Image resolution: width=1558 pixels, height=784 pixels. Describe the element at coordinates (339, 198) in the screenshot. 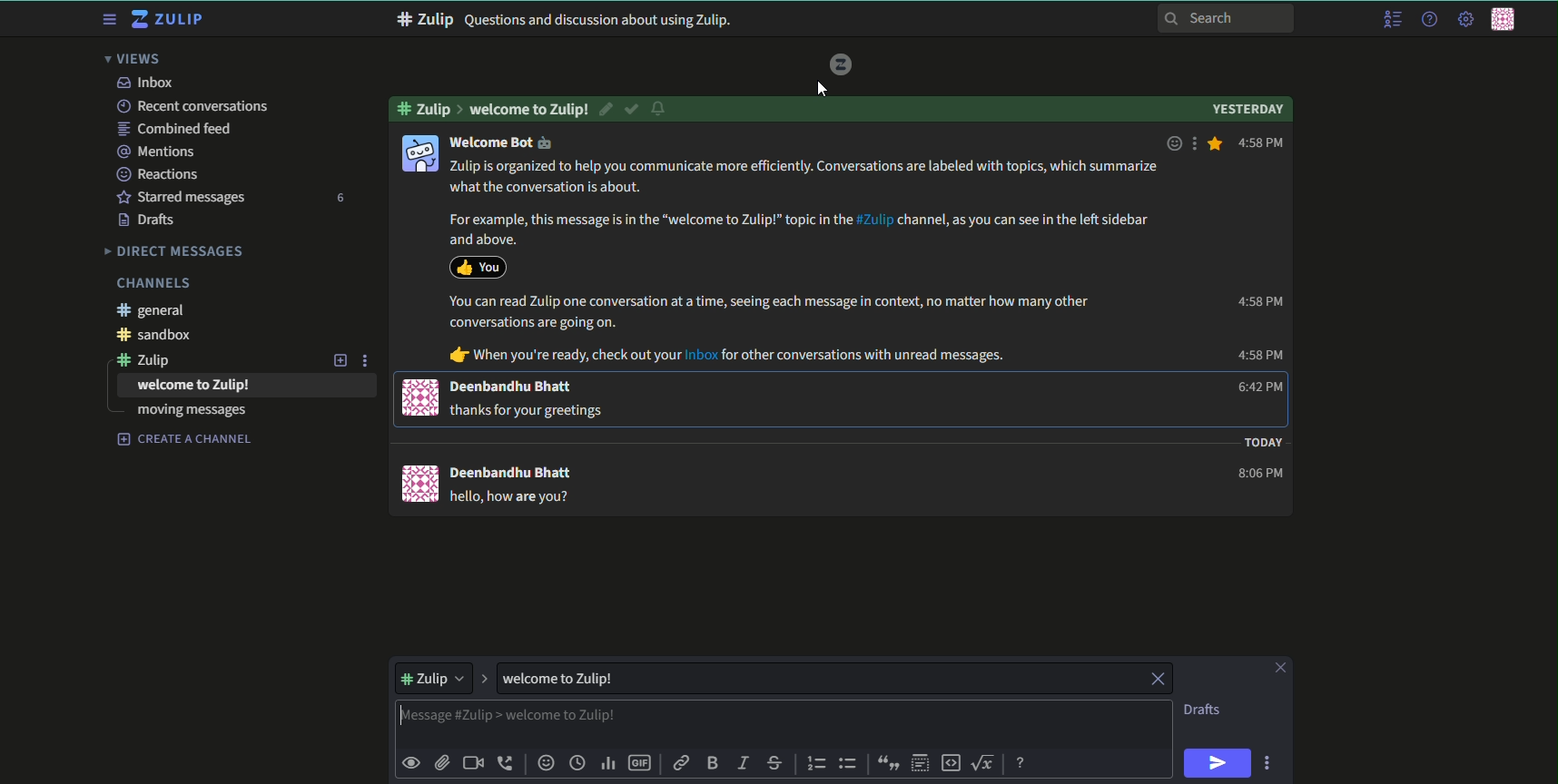

I see `number` at that location.